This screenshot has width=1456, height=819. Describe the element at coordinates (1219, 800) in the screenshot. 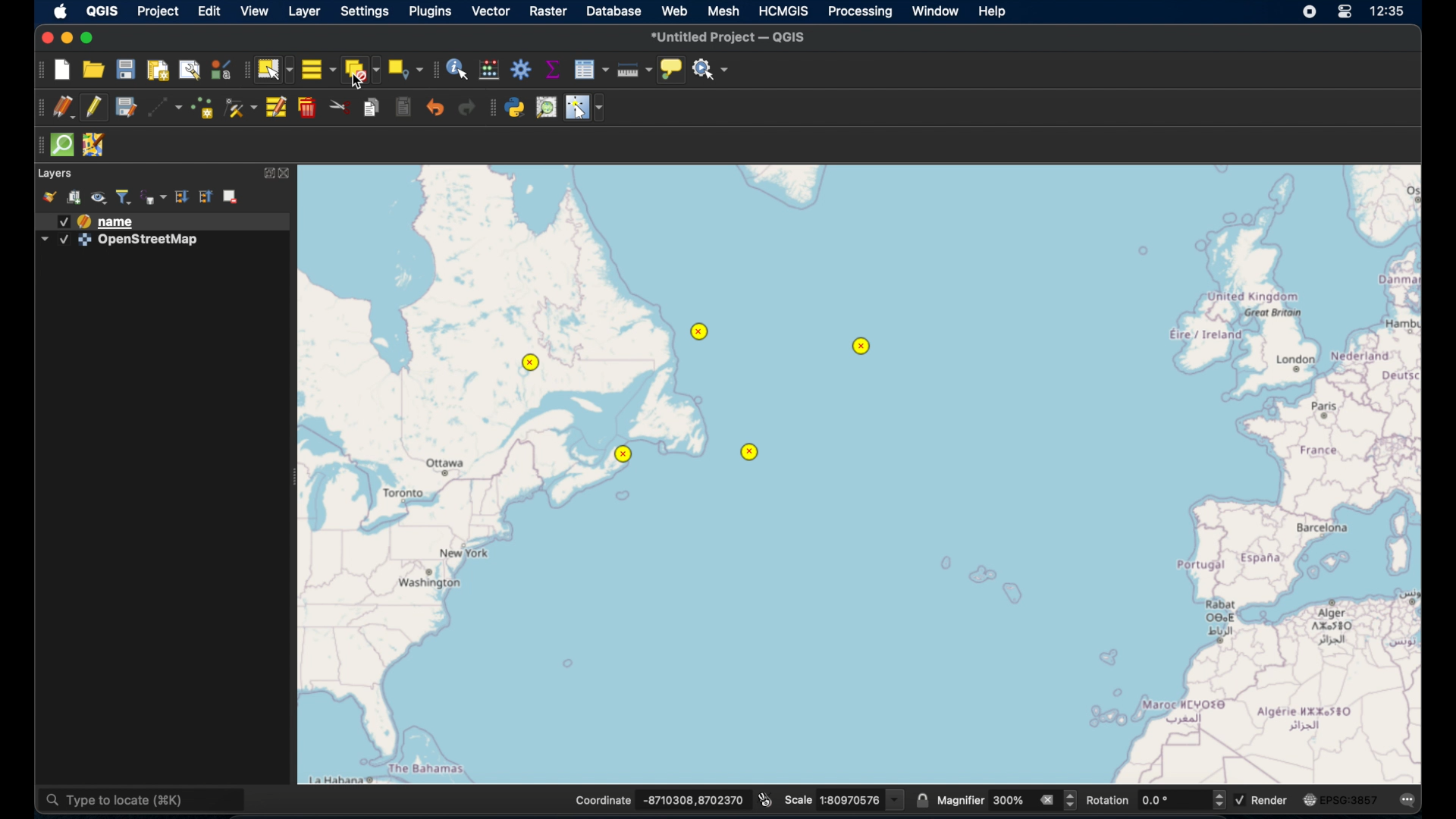

I see `increase or decrease the value of rotation` at that location.